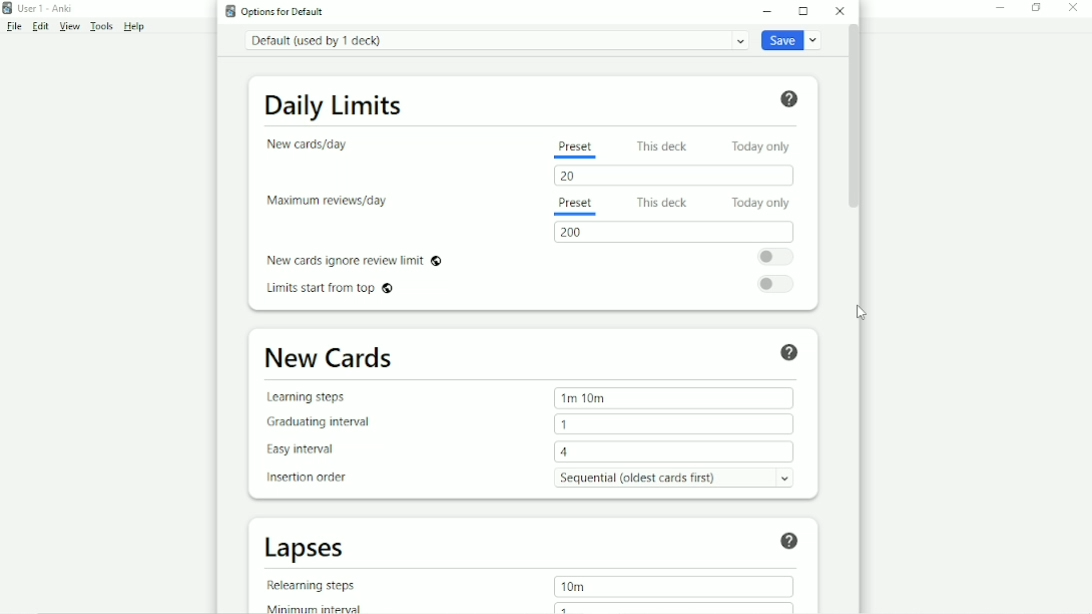 The height and width of the screenshot is (614, 1092). Describe the element at coordinates (770, 11) in the screenshot. I see `Minimize` at that location.